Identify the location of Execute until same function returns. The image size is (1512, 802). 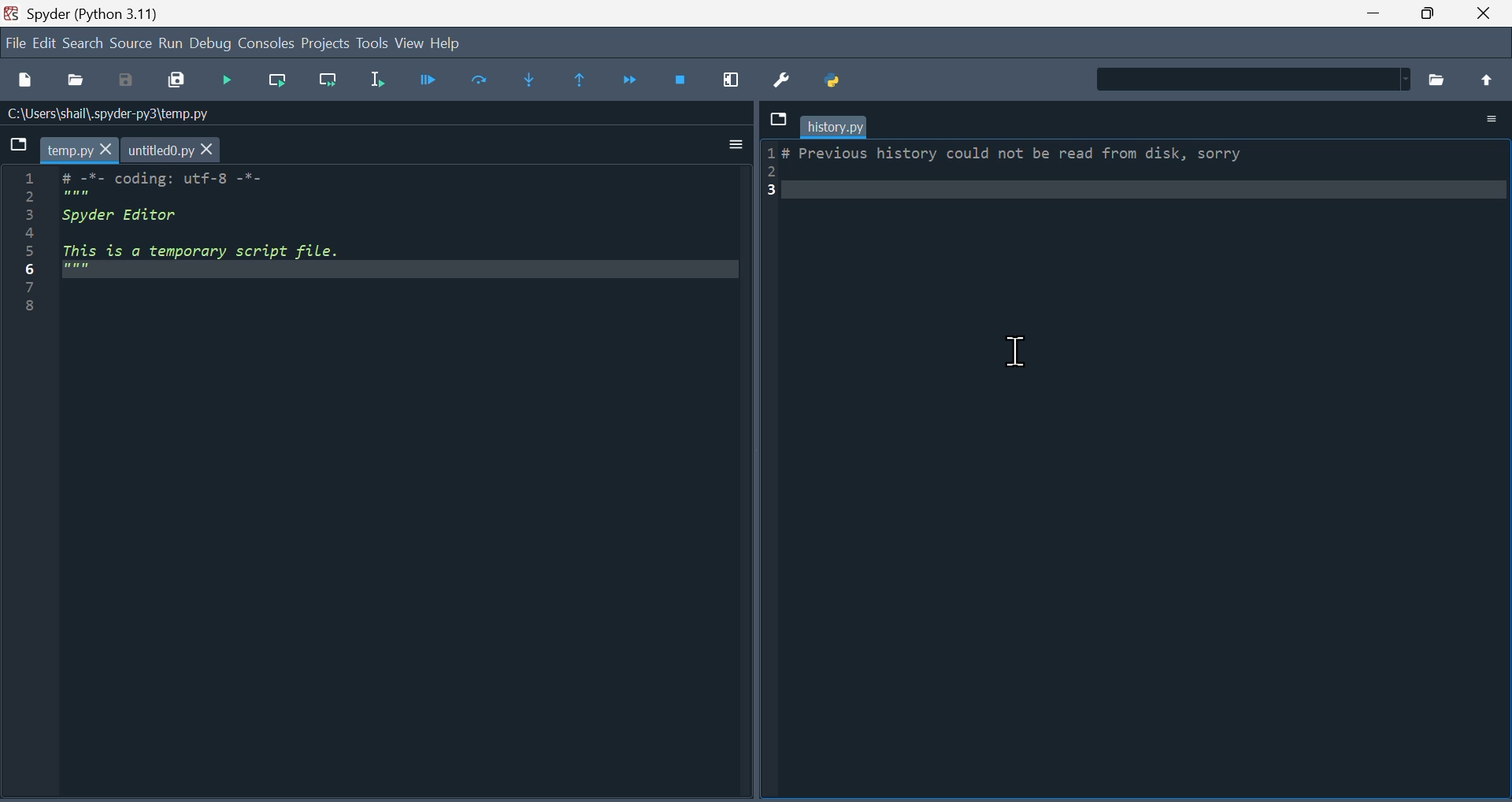
(580, 78).